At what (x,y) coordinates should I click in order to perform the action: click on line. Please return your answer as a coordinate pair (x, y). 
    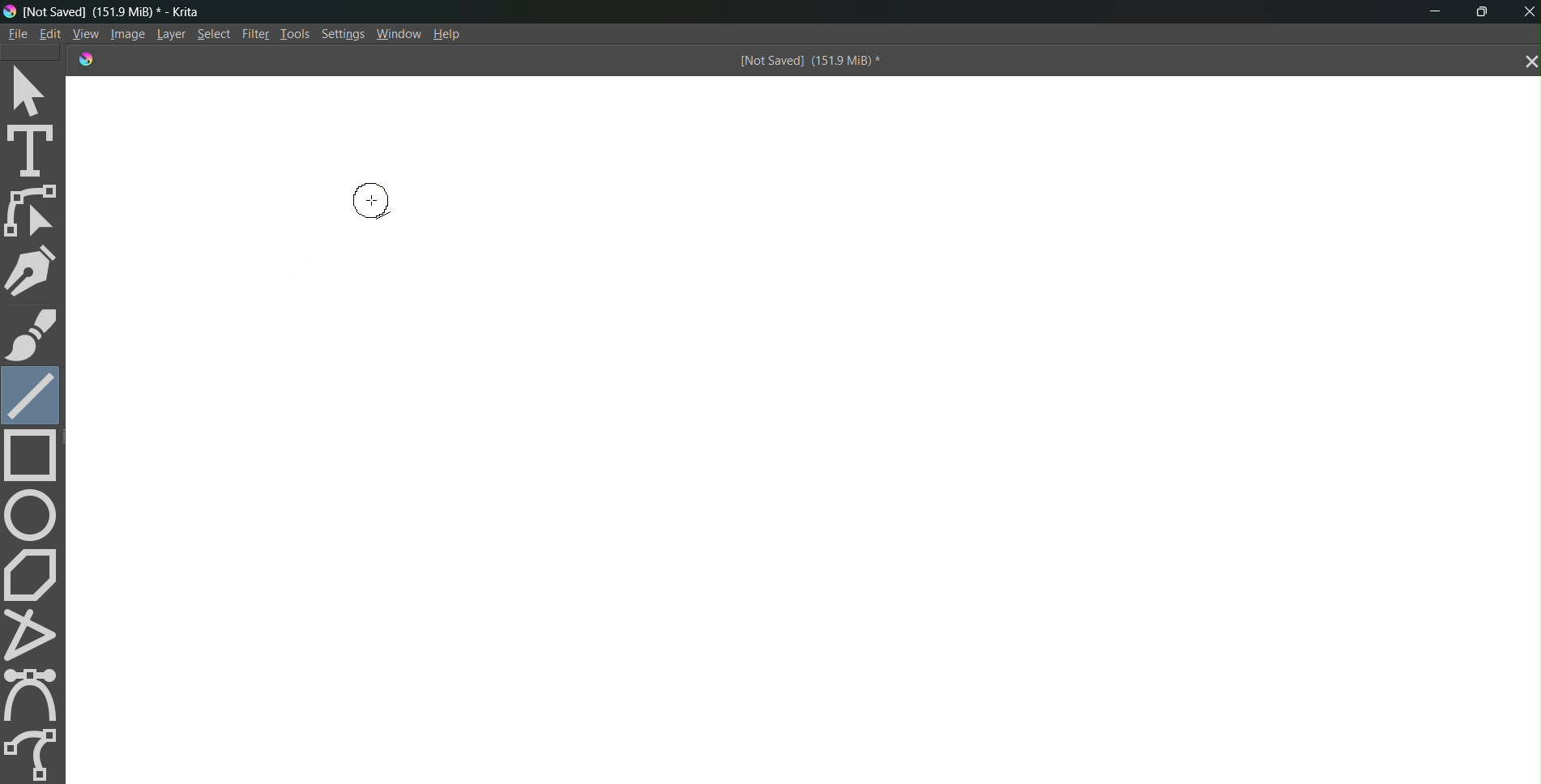
    Looking at the image, I should click on (30, 393).